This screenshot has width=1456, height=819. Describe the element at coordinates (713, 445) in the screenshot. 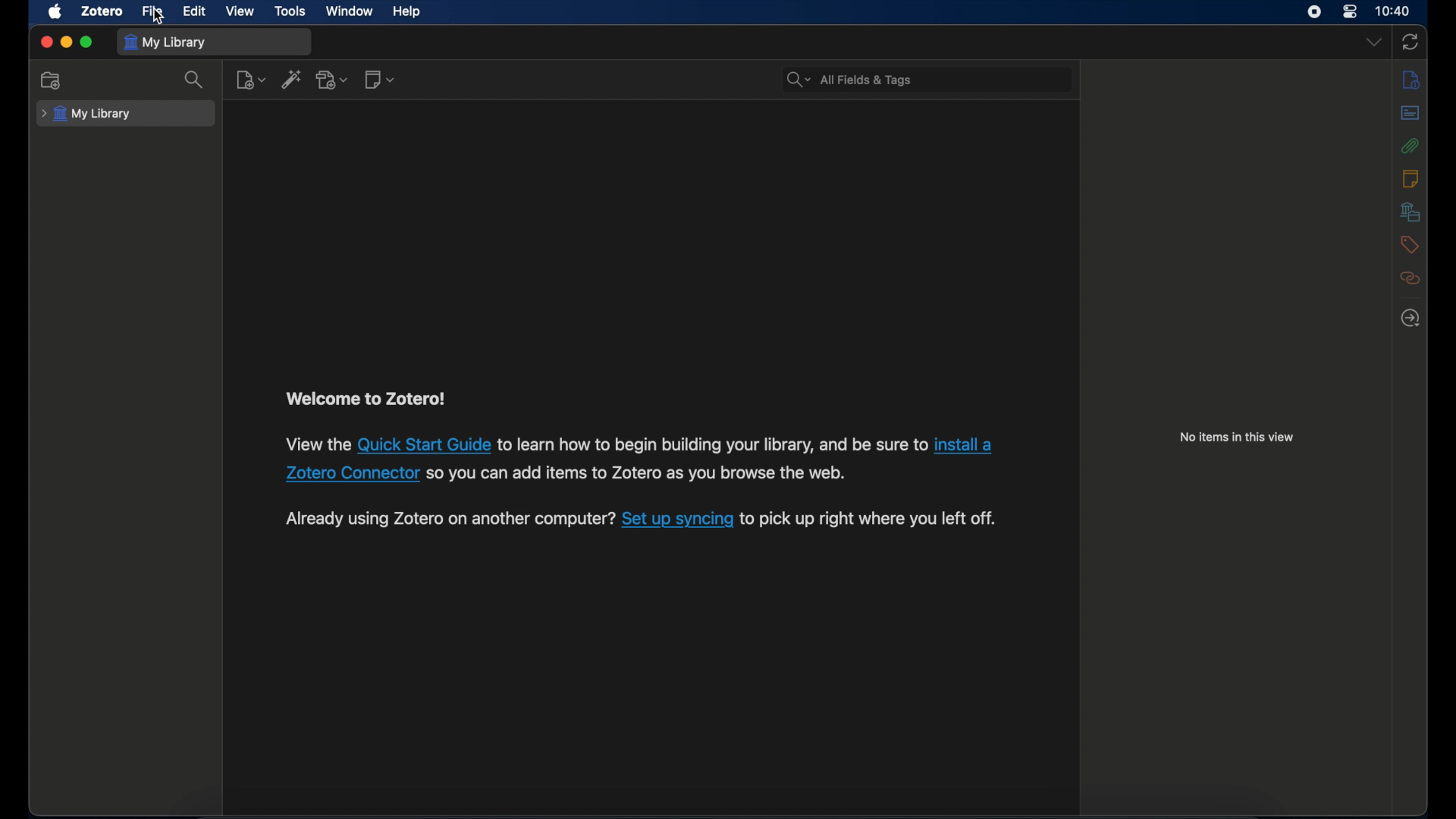

I see `to learn how to begin building your library, and be sure to` at that location.